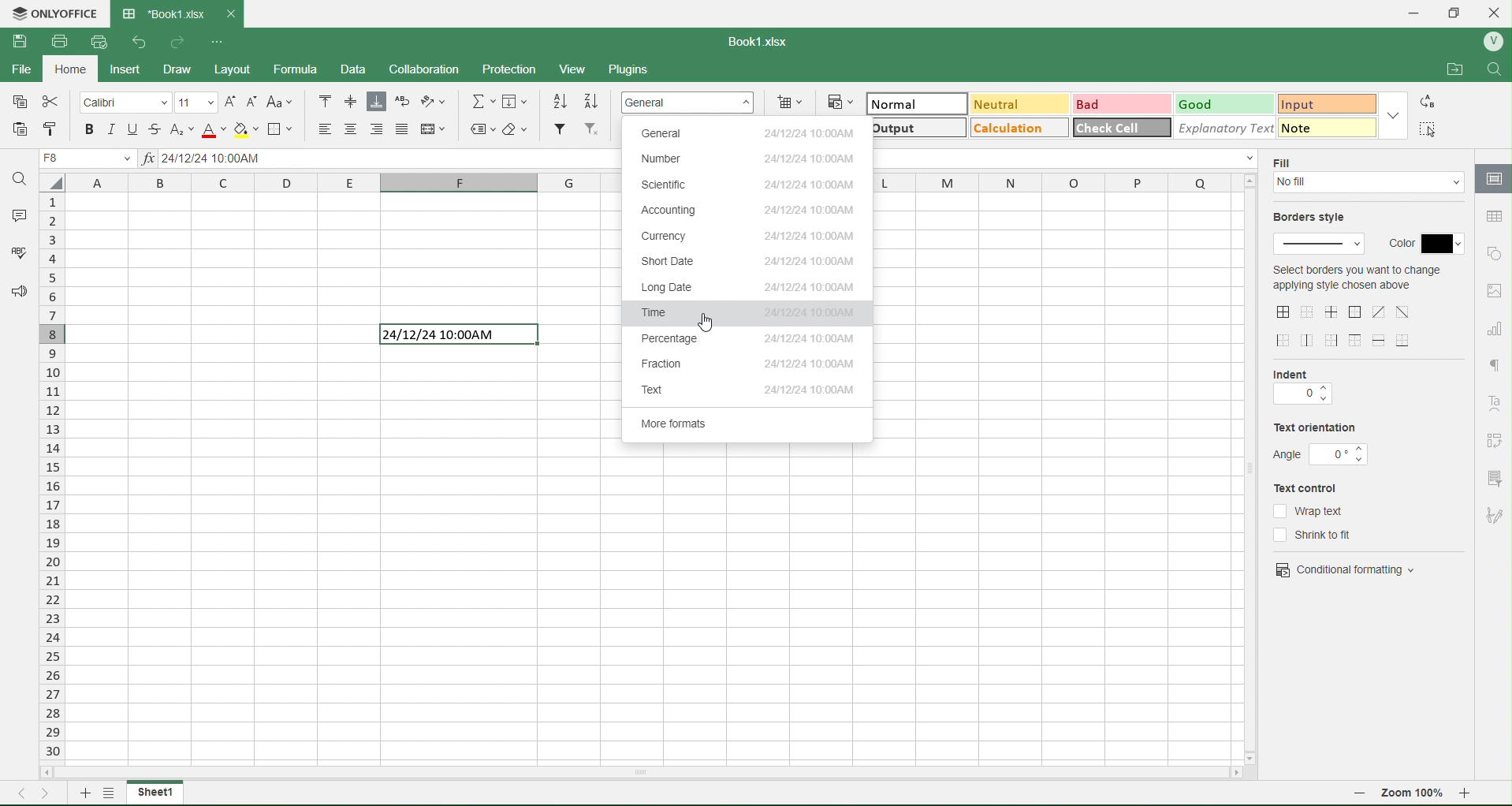  Describe the element at coordinates (520, 102) in the screenshot. I see `Fill` at that location.